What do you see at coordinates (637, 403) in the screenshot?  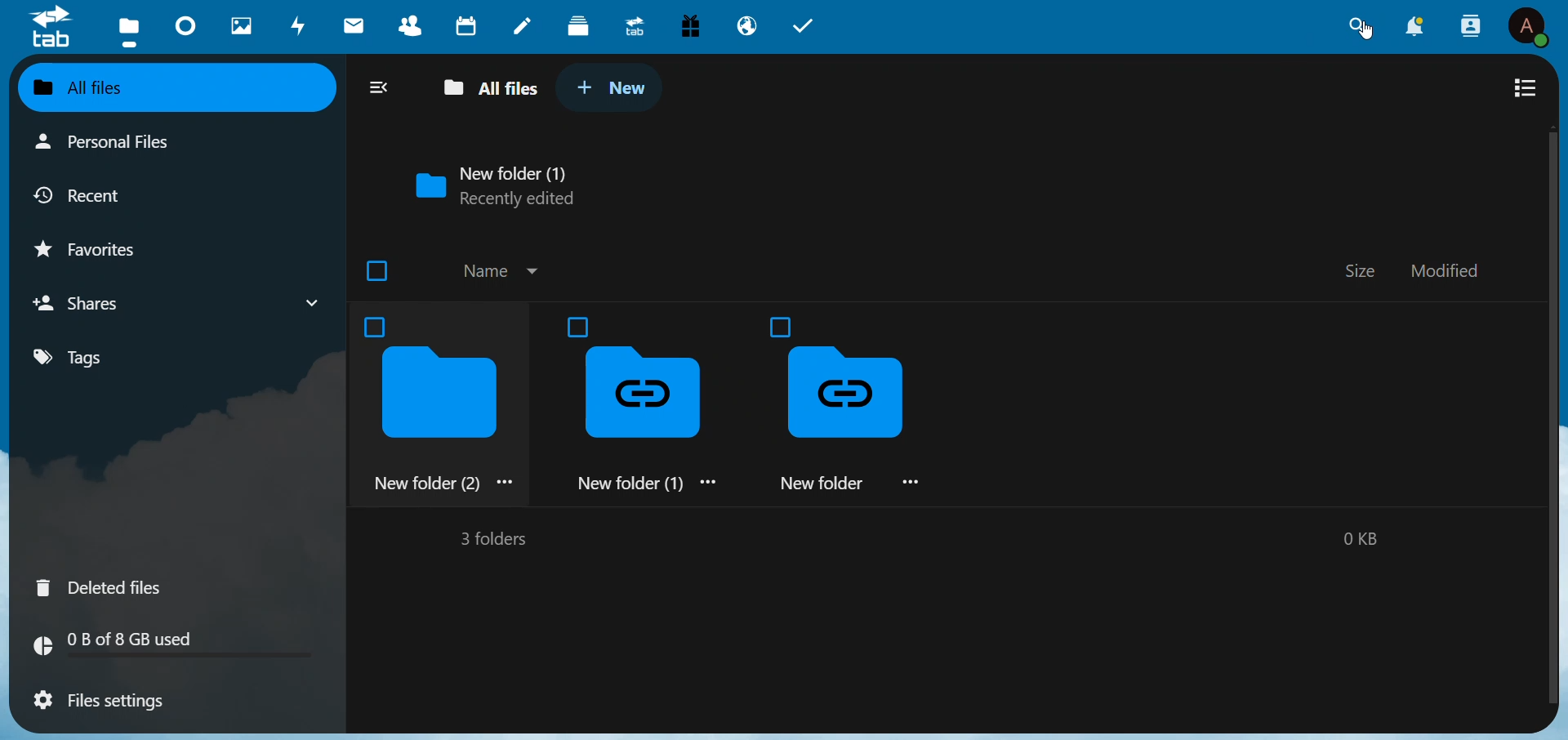 I see `new folder 1` at bounding box center [637, 403].